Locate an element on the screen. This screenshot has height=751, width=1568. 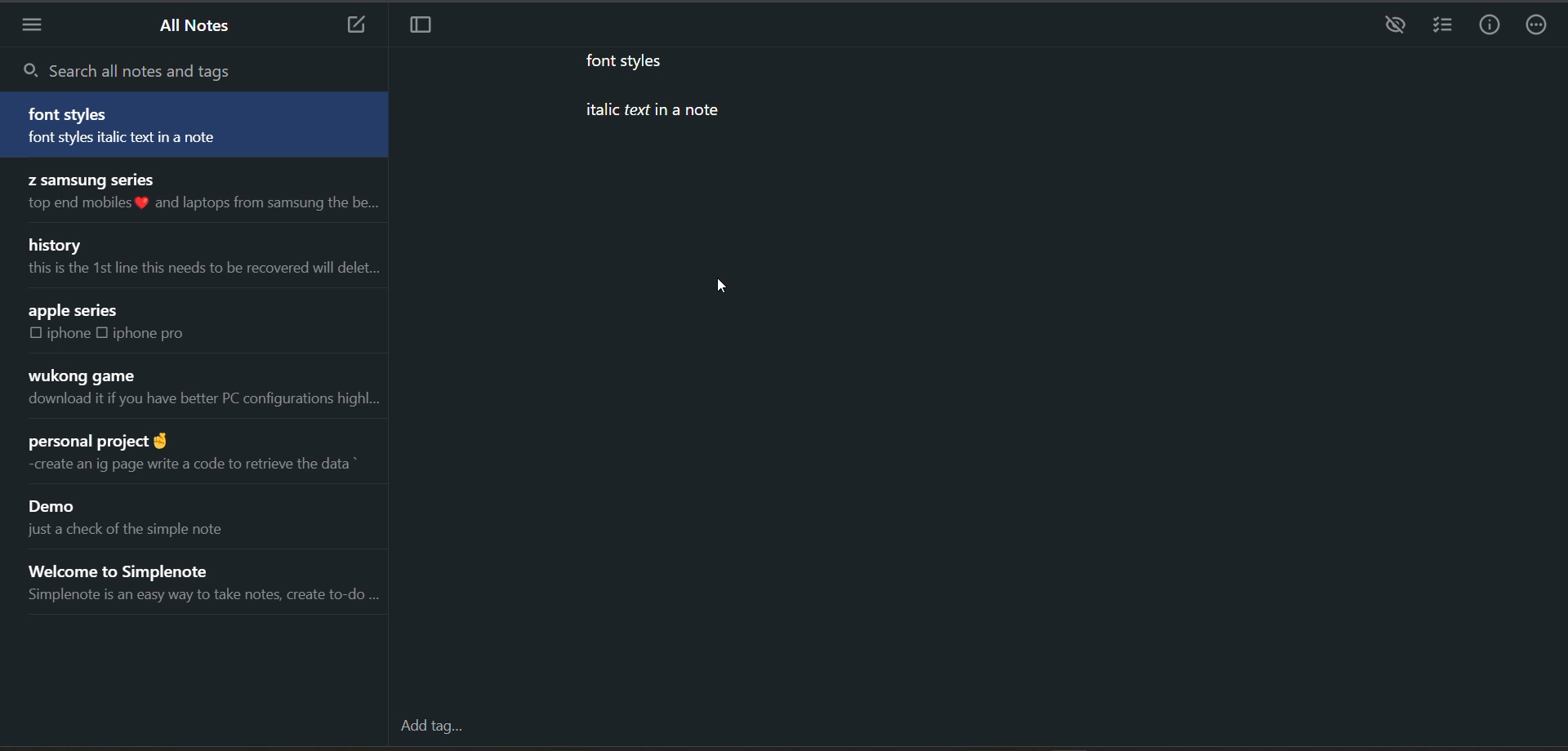
add tag is located at coordinates (434, 725).